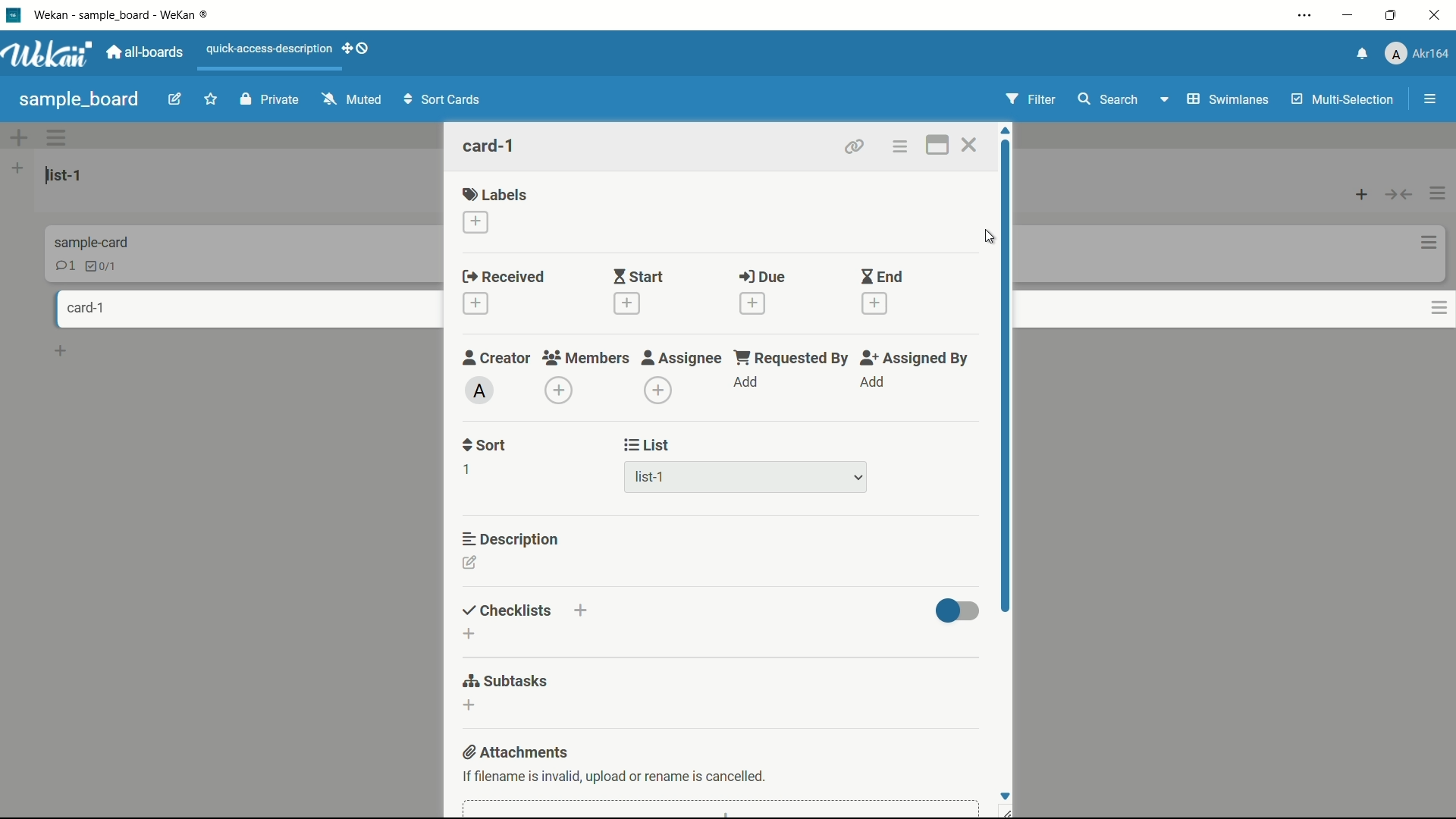 The image size is (1456, 819). I want to click on quick-access-description, so click(266, 48).